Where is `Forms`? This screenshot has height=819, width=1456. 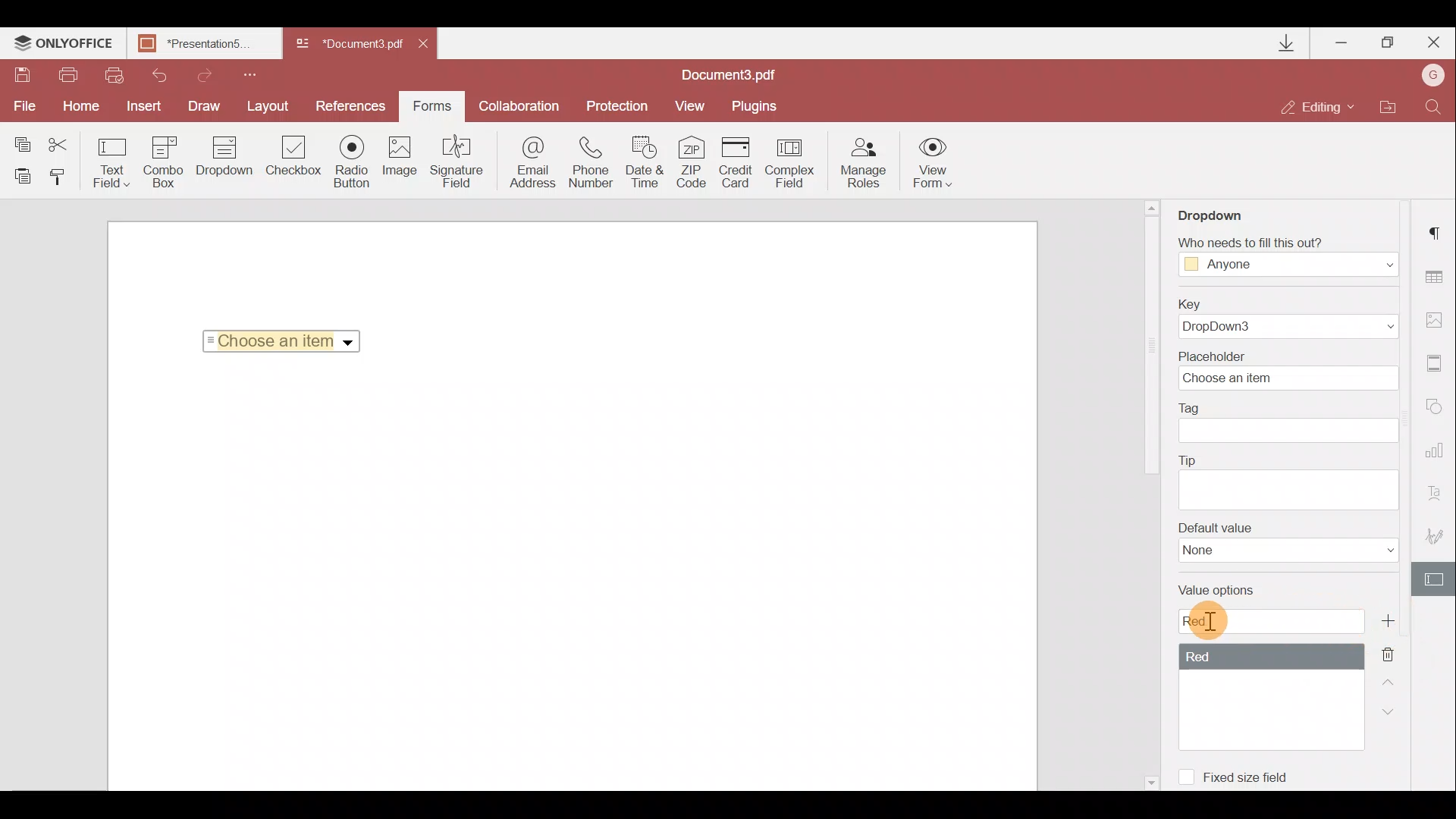 Forms is located at coordinates (432, 106).